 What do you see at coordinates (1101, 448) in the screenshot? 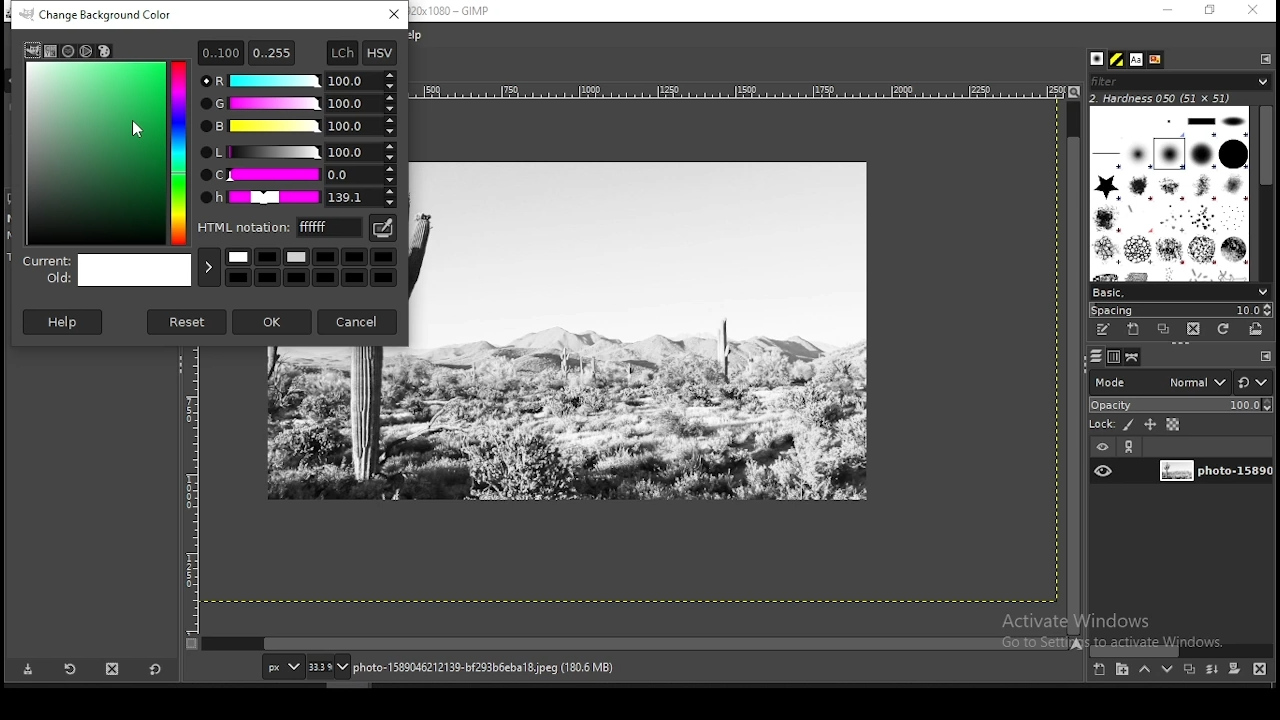
I see `layer visibility` at bounding box center [1101, 448].